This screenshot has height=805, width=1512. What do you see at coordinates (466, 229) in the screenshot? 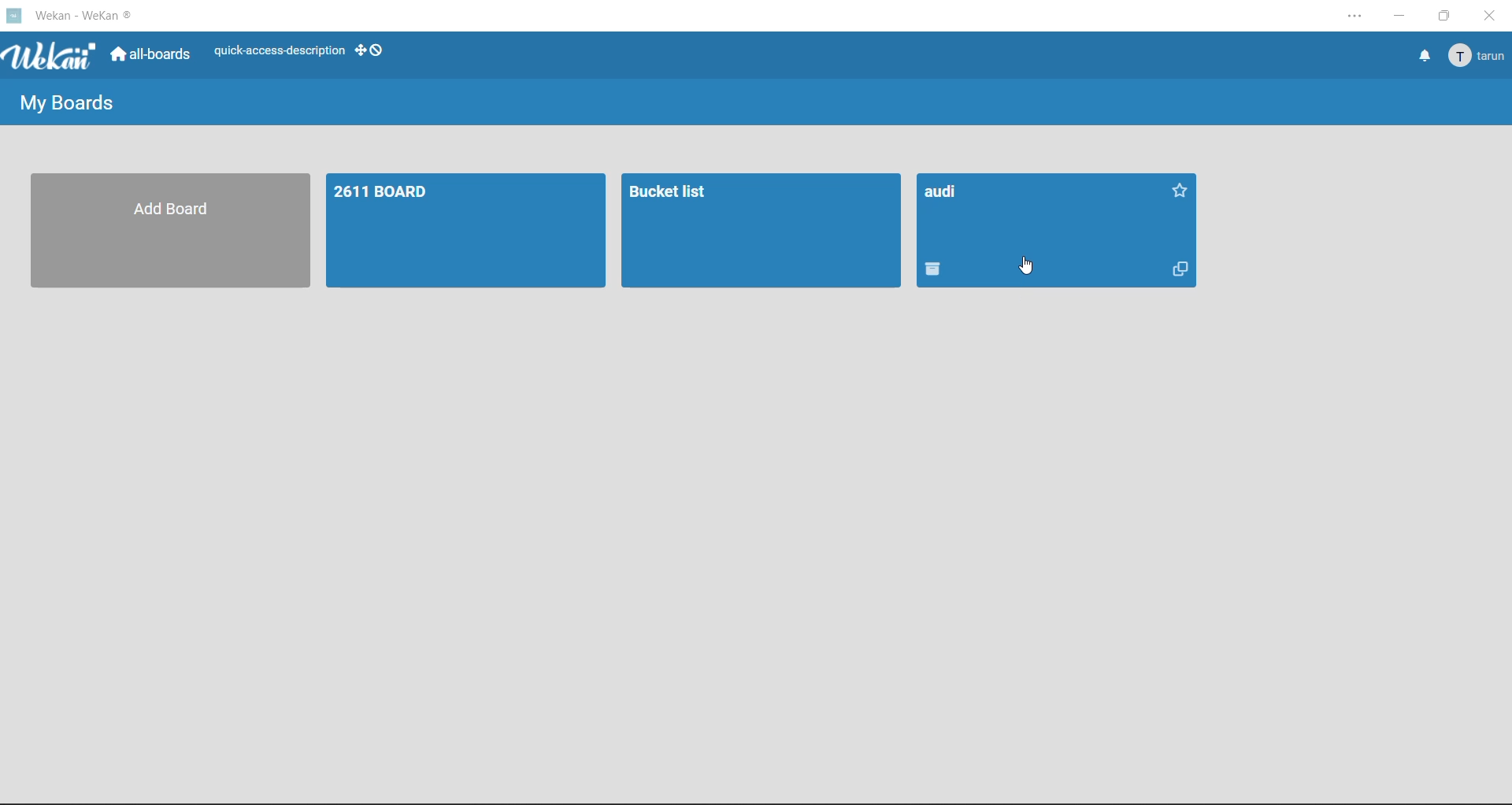
I see `2611 BOARD` at bounding box center [466, 229].